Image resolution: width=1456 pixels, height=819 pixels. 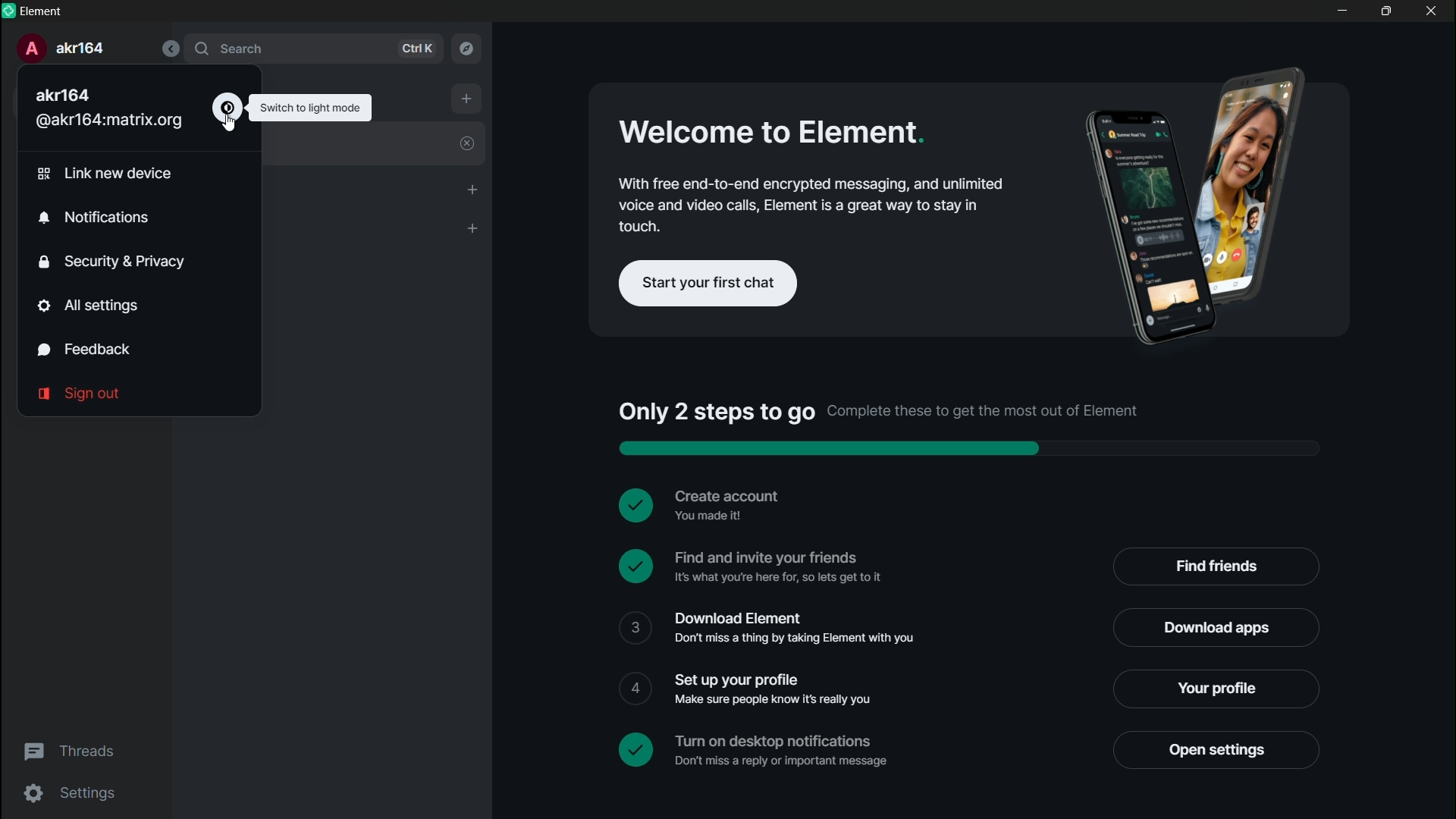 What do you see at coordinates (810, 205) in the screenshot?
I see `With free end to end encrypted messaging and unlimited poison video calls element is a great way to stay in touch` at bounding box center [810, 205].